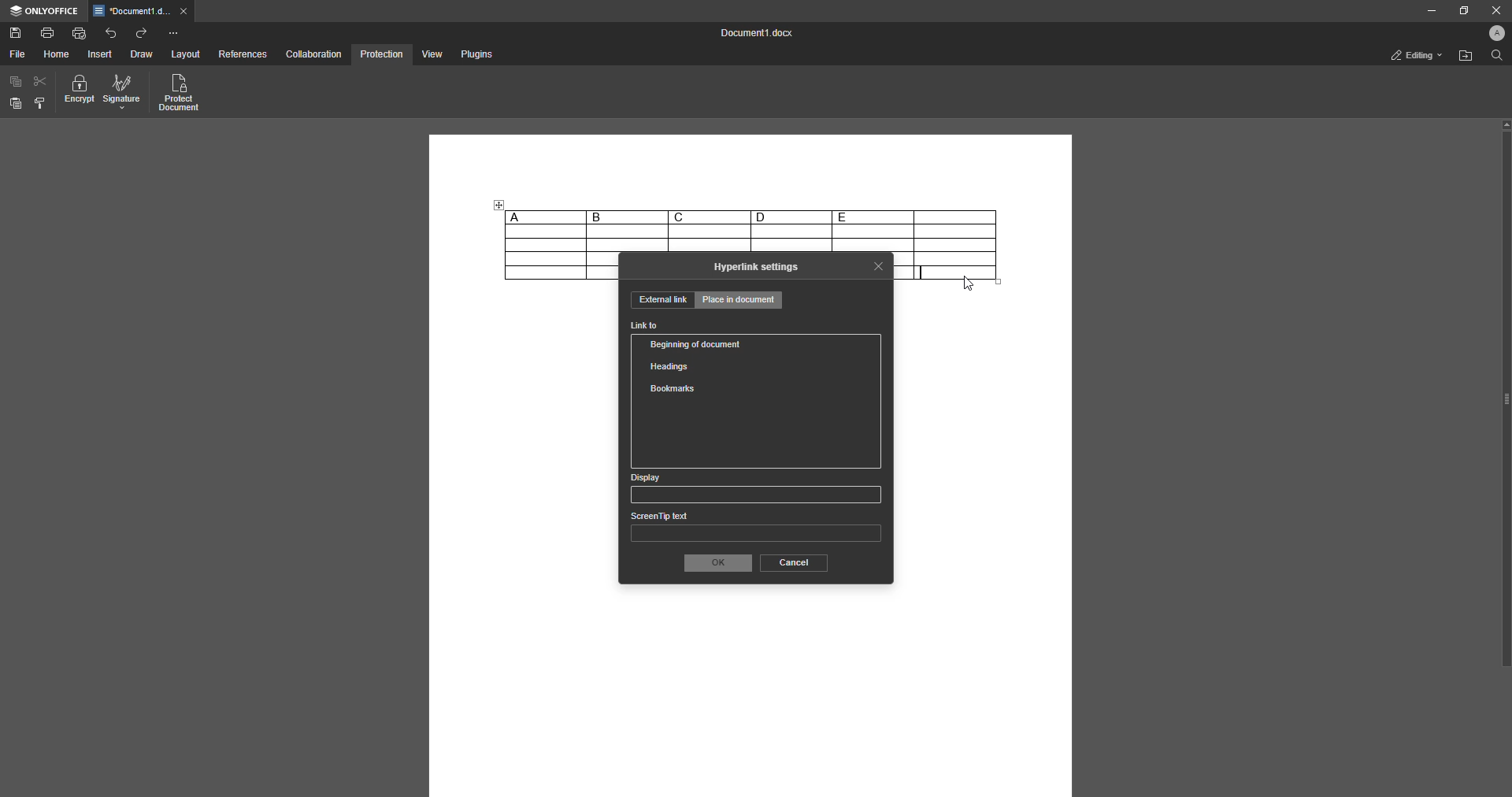  What do you see at coordinates (111, 32) in the screenshot?
I see `Undo` at bounding box center [111, 32].